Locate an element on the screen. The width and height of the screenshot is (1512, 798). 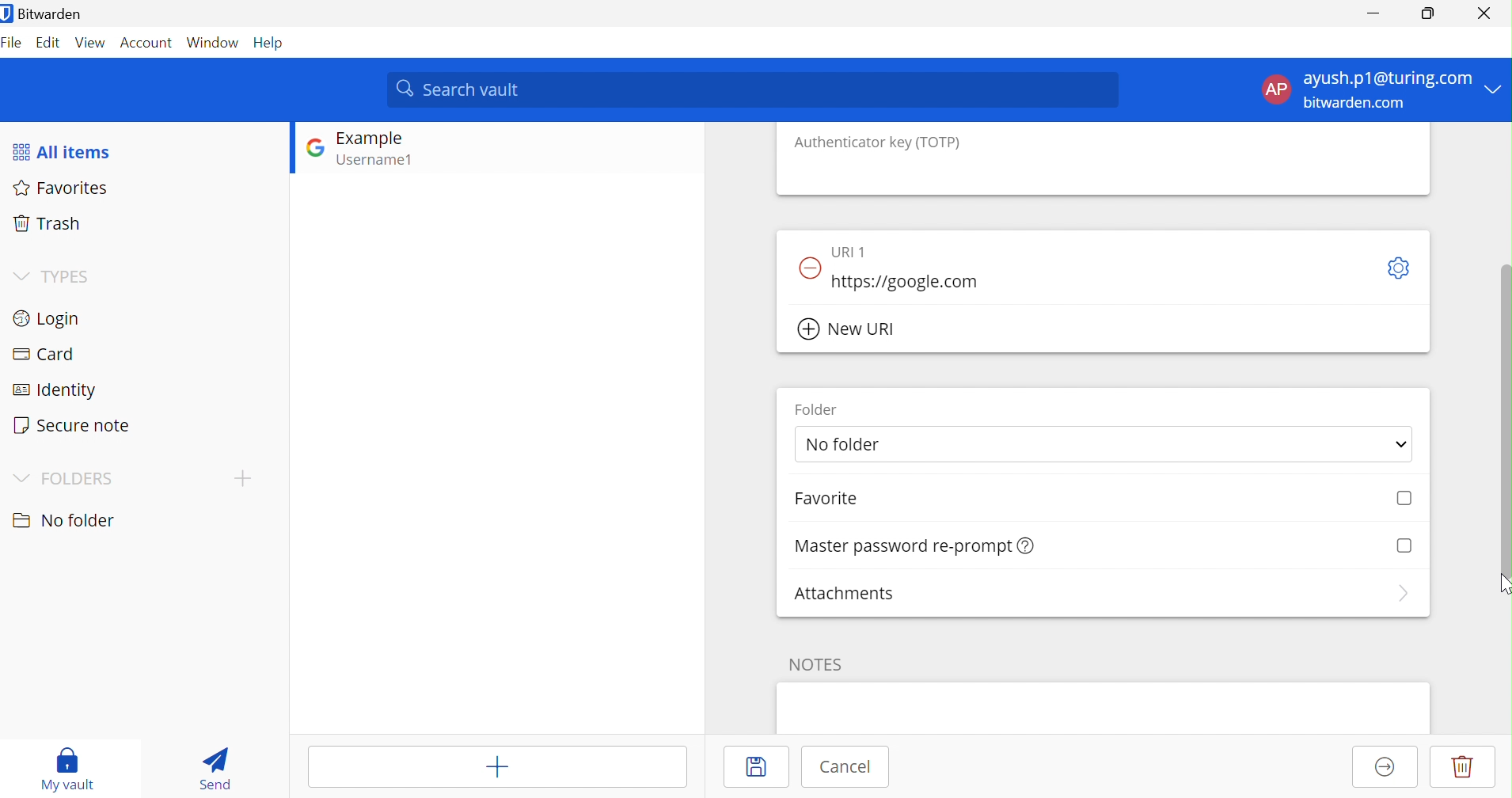
Attachments is located at coordinates (845, 593).